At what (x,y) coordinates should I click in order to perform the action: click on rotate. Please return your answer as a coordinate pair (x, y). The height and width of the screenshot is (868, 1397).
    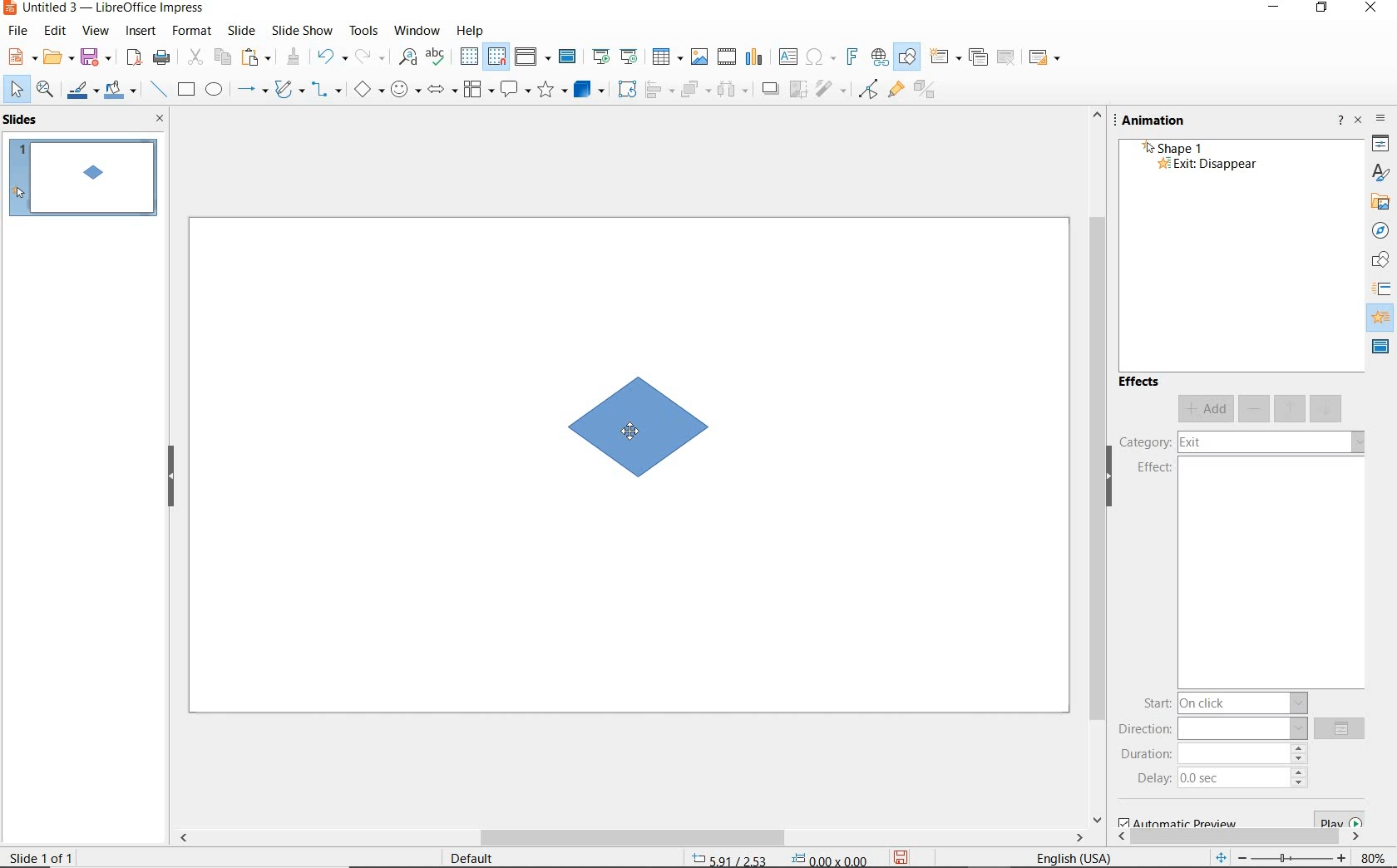
    Looking at the image, I should click on (627, 91).